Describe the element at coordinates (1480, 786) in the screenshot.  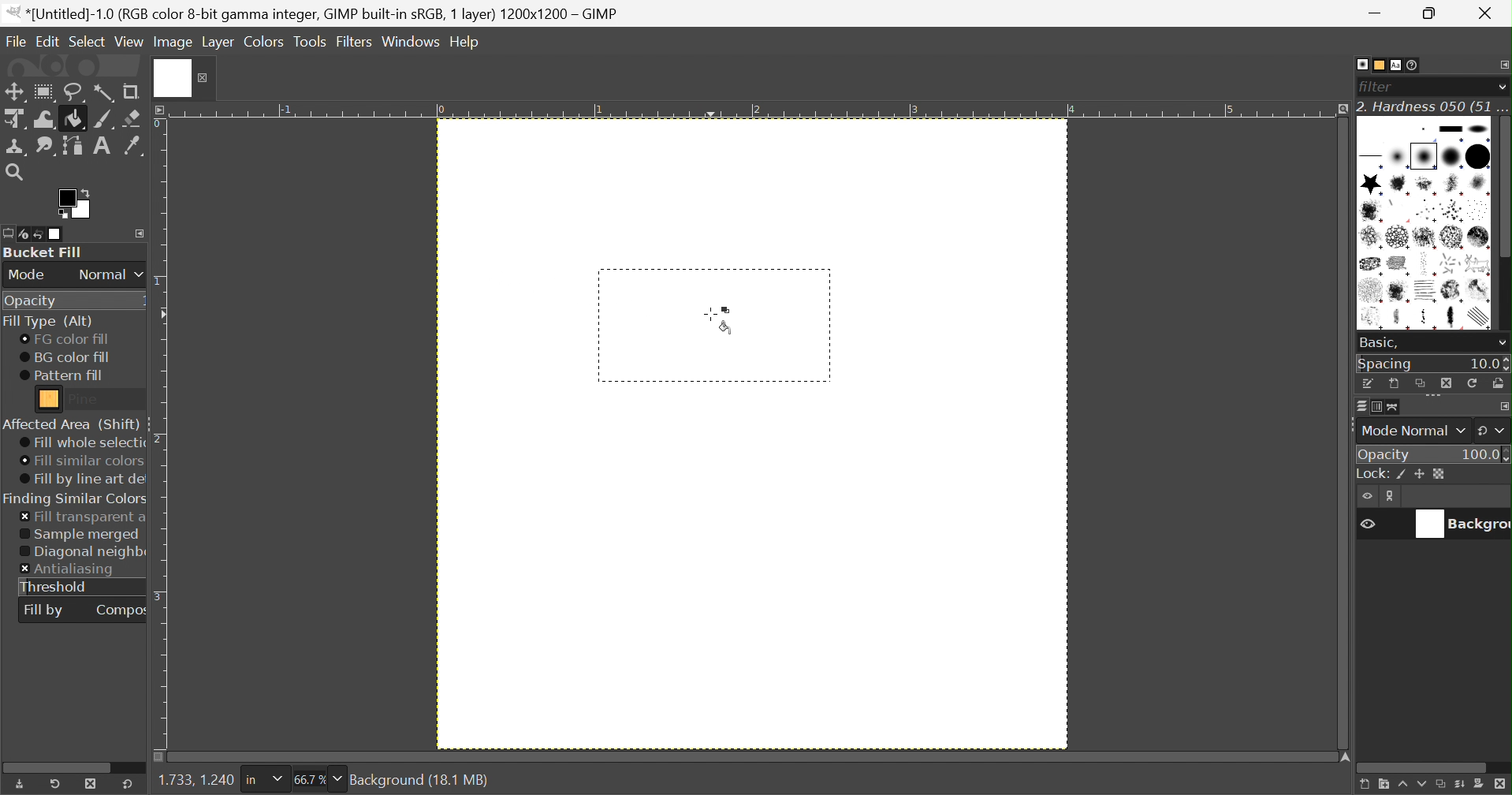
I see `Add a mask that allows non-destructive editing of transparency.` at that location.